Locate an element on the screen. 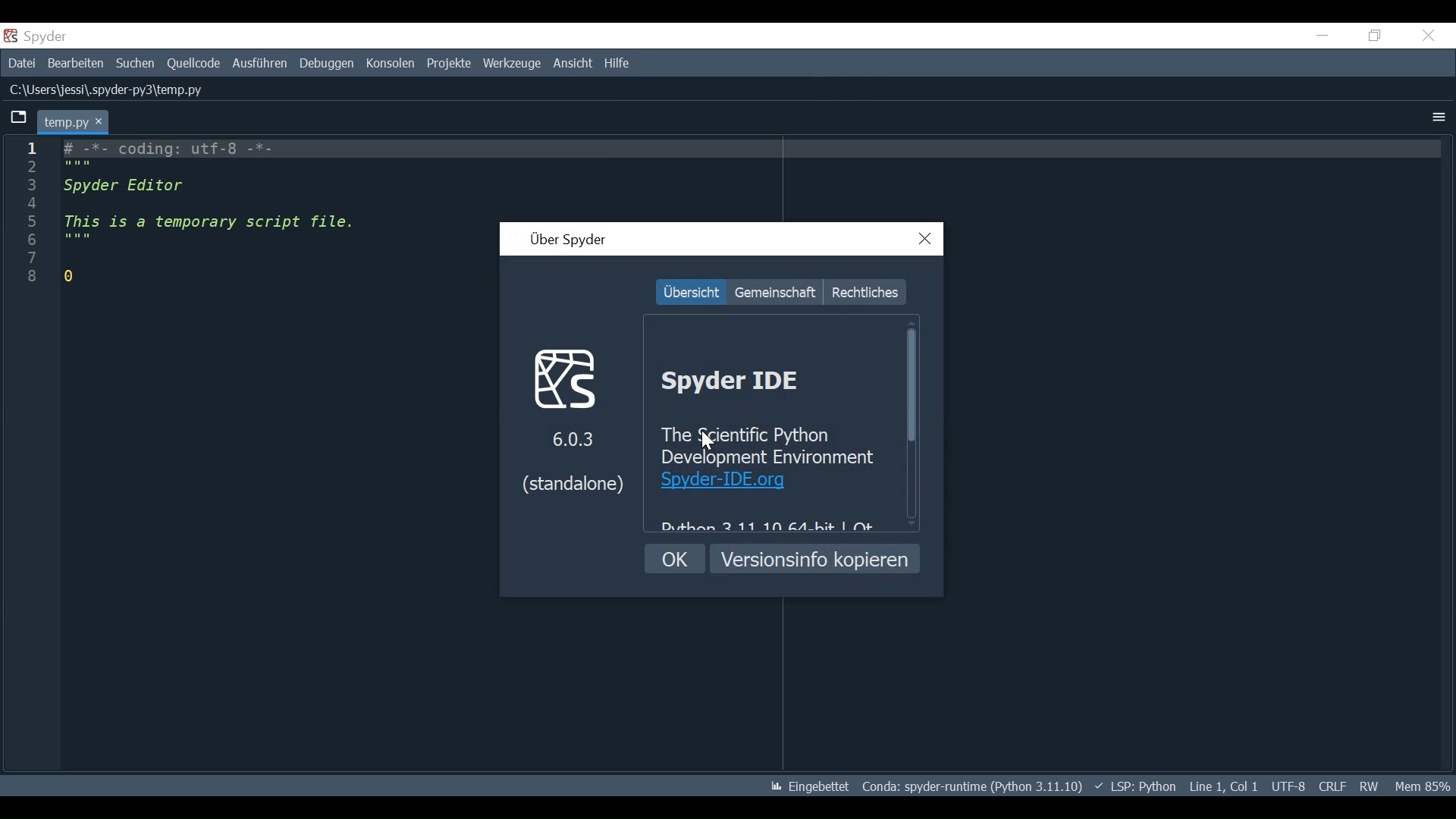  Conda Environment Indicator is located at coordinates (973, 786).